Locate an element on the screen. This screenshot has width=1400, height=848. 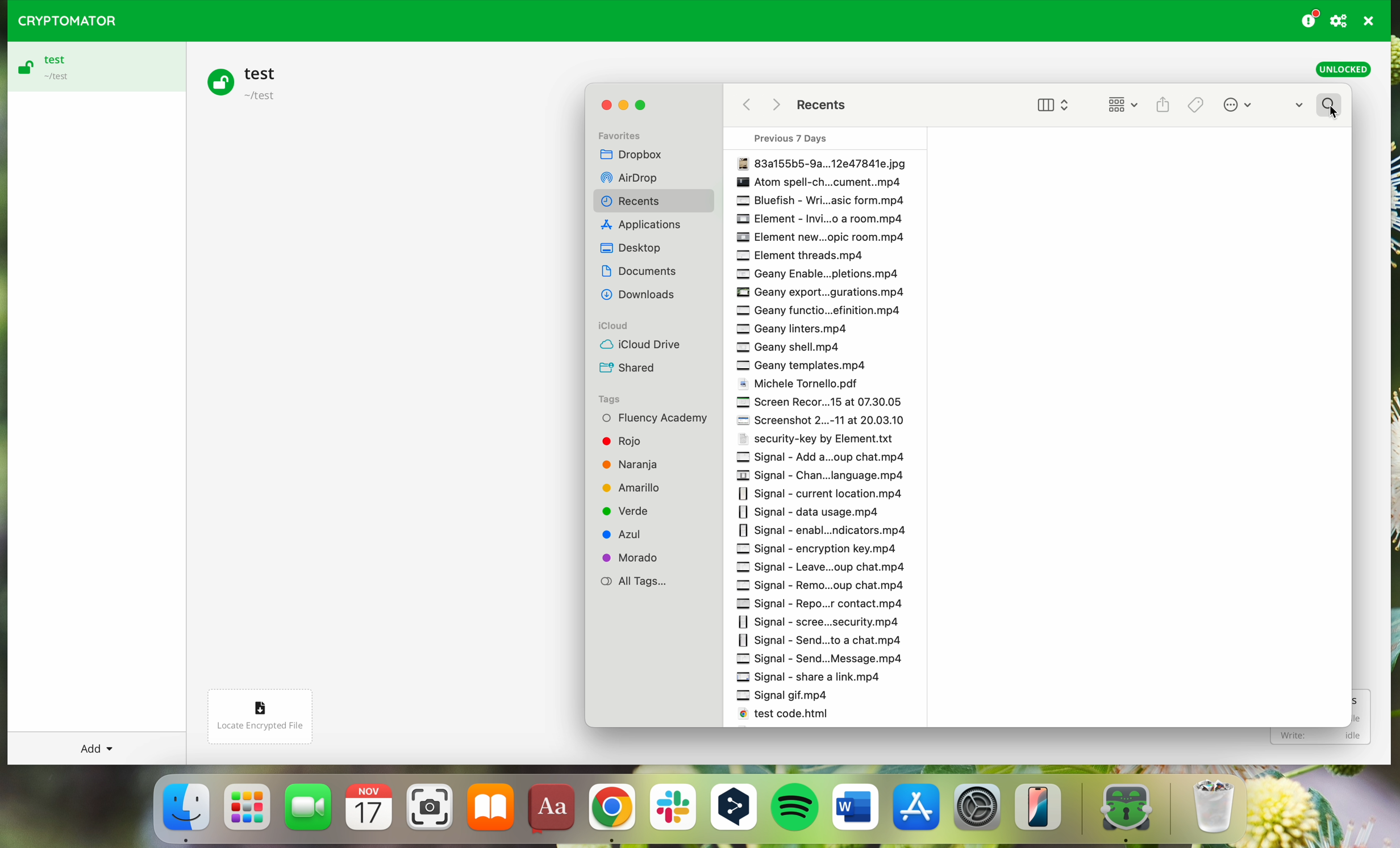
minimize is located at coordinates (622, 106).